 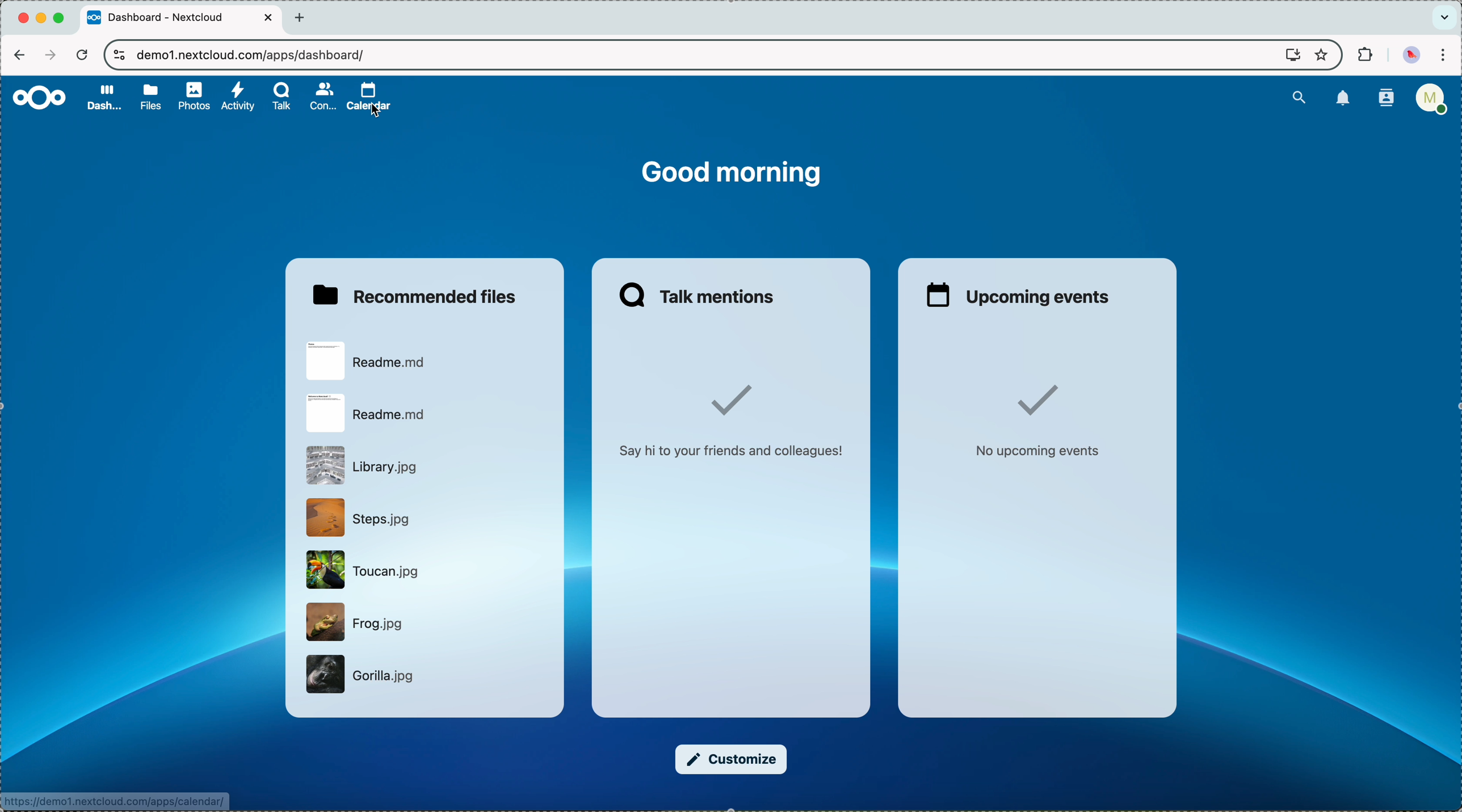 I want to click on file, so click(x=366, y=362).